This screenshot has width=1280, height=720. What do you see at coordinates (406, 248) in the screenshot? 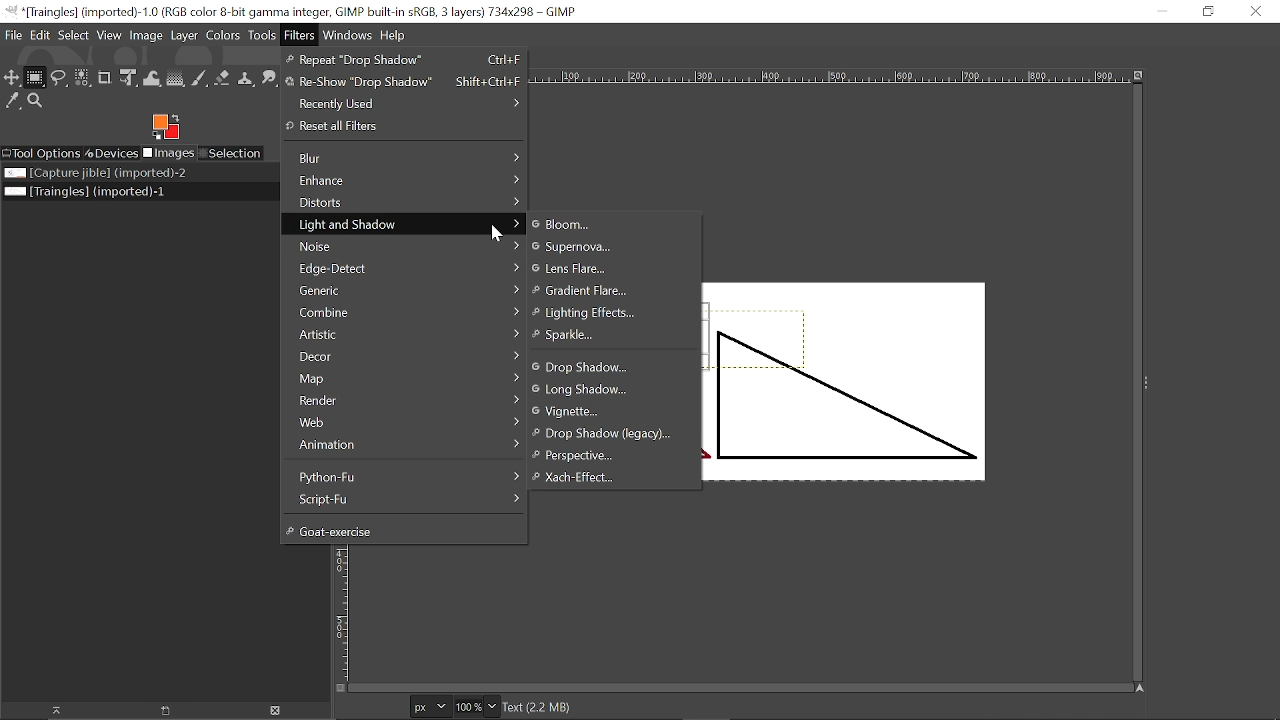
I see `Noise` at bounding box center [406, 248].